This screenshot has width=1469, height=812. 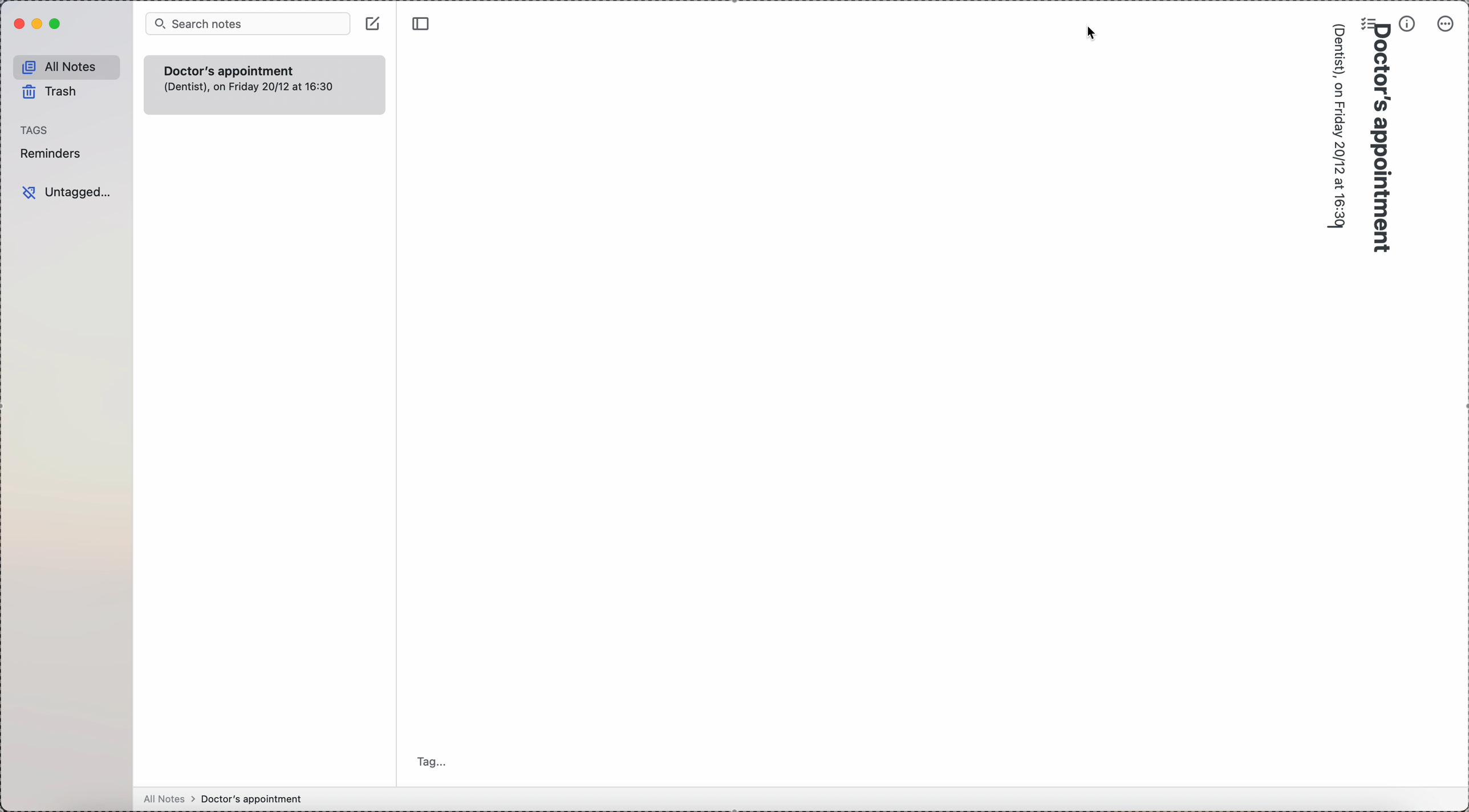 I want to click on check list, so click(x=1366, y=21).